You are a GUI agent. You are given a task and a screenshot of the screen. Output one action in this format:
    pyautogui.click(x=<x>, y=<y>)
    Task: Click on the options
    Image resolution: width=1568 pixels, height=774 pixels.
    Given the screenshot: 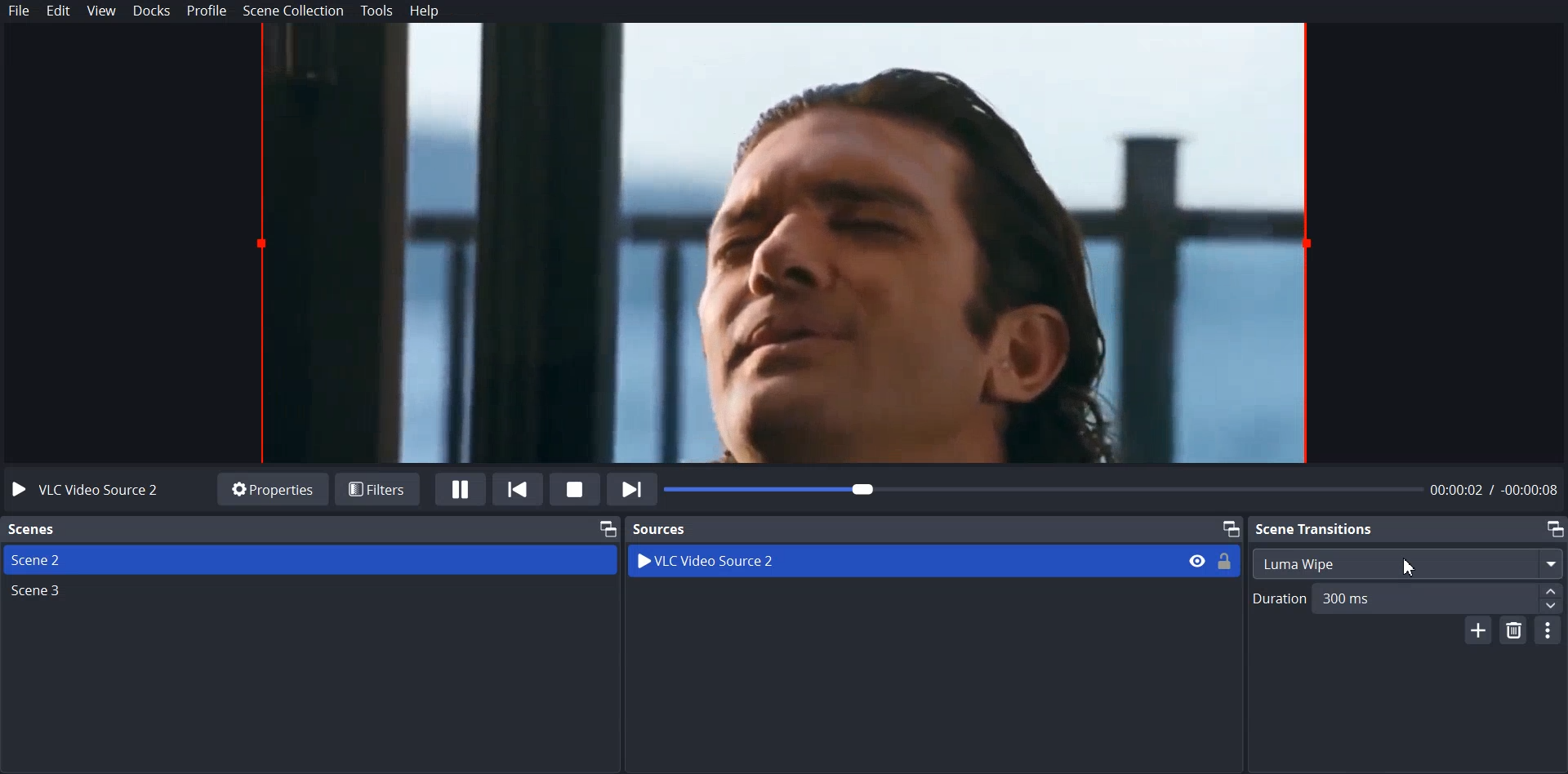 What is the action you would take?
    pyautogui.click(x=1549, y=629)
    